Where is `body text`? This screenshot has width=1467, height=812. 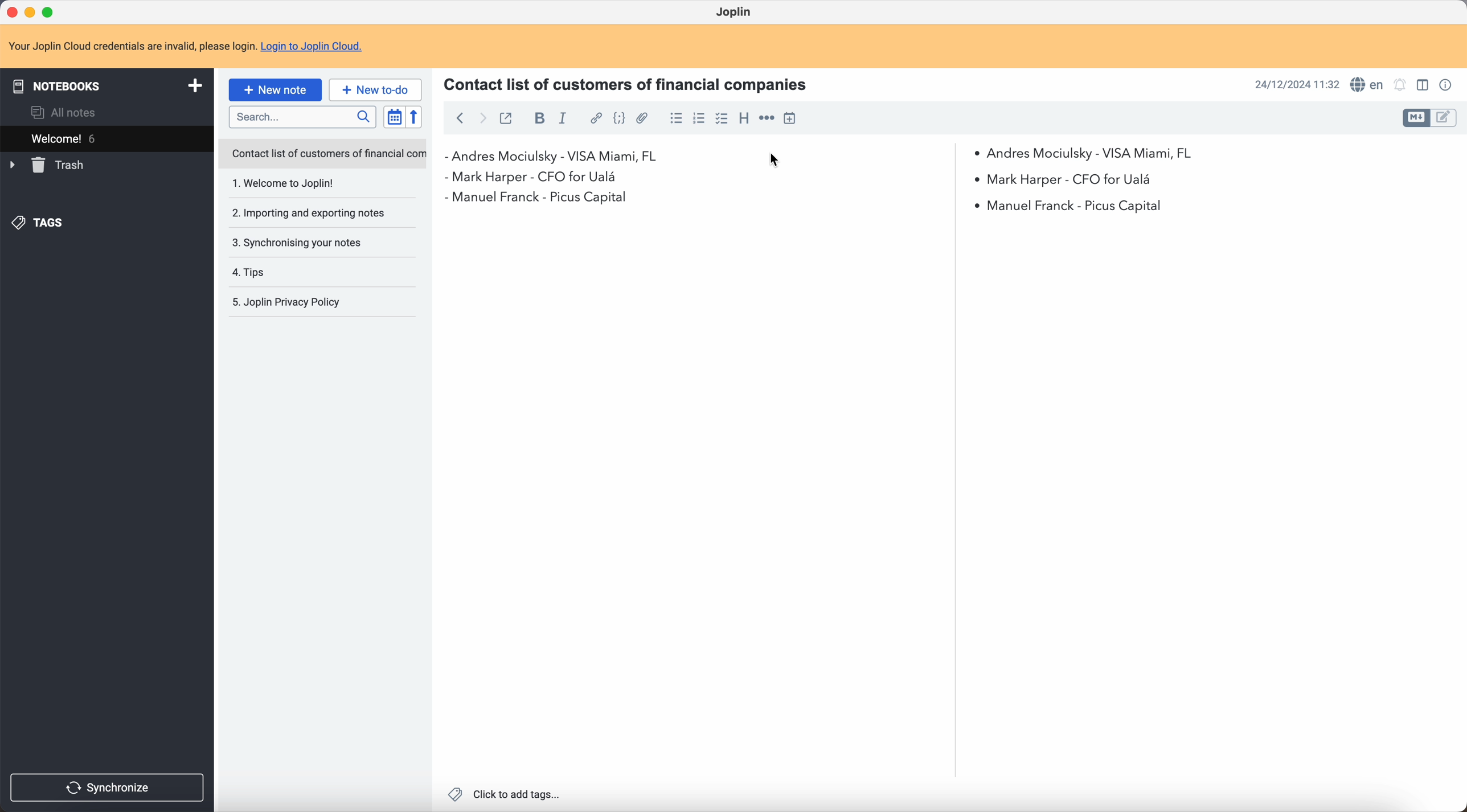
body text is located at coordinates (702, 499).